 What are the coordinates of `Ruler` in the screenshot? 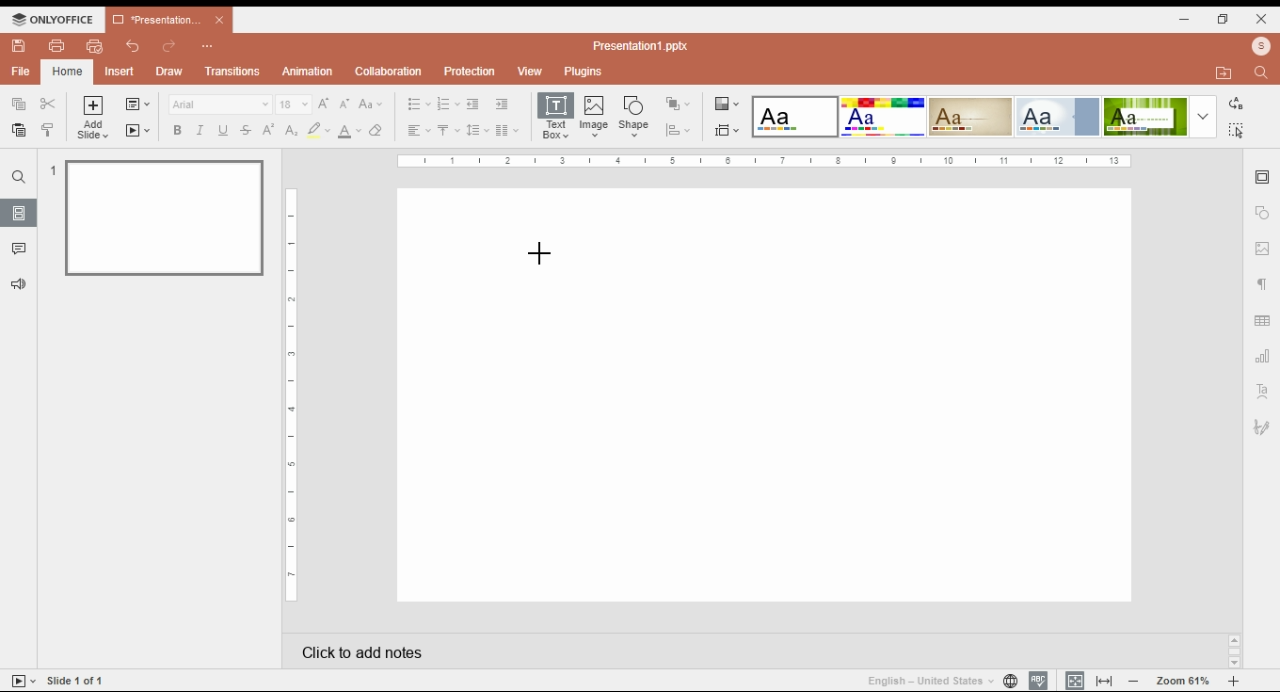 It's located at (291, 394).